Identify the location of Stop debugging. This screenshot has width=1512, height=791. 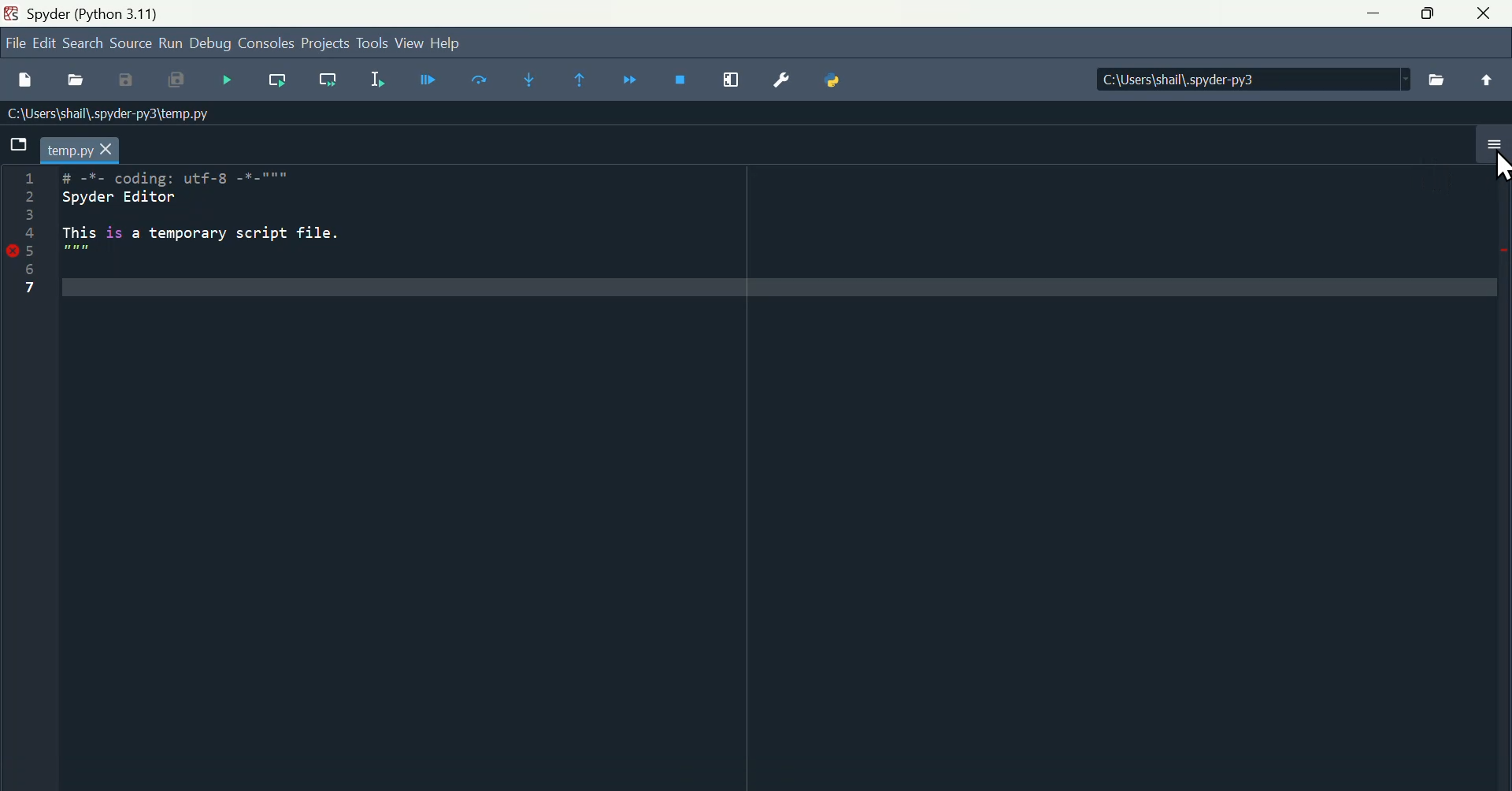
(685, 84).